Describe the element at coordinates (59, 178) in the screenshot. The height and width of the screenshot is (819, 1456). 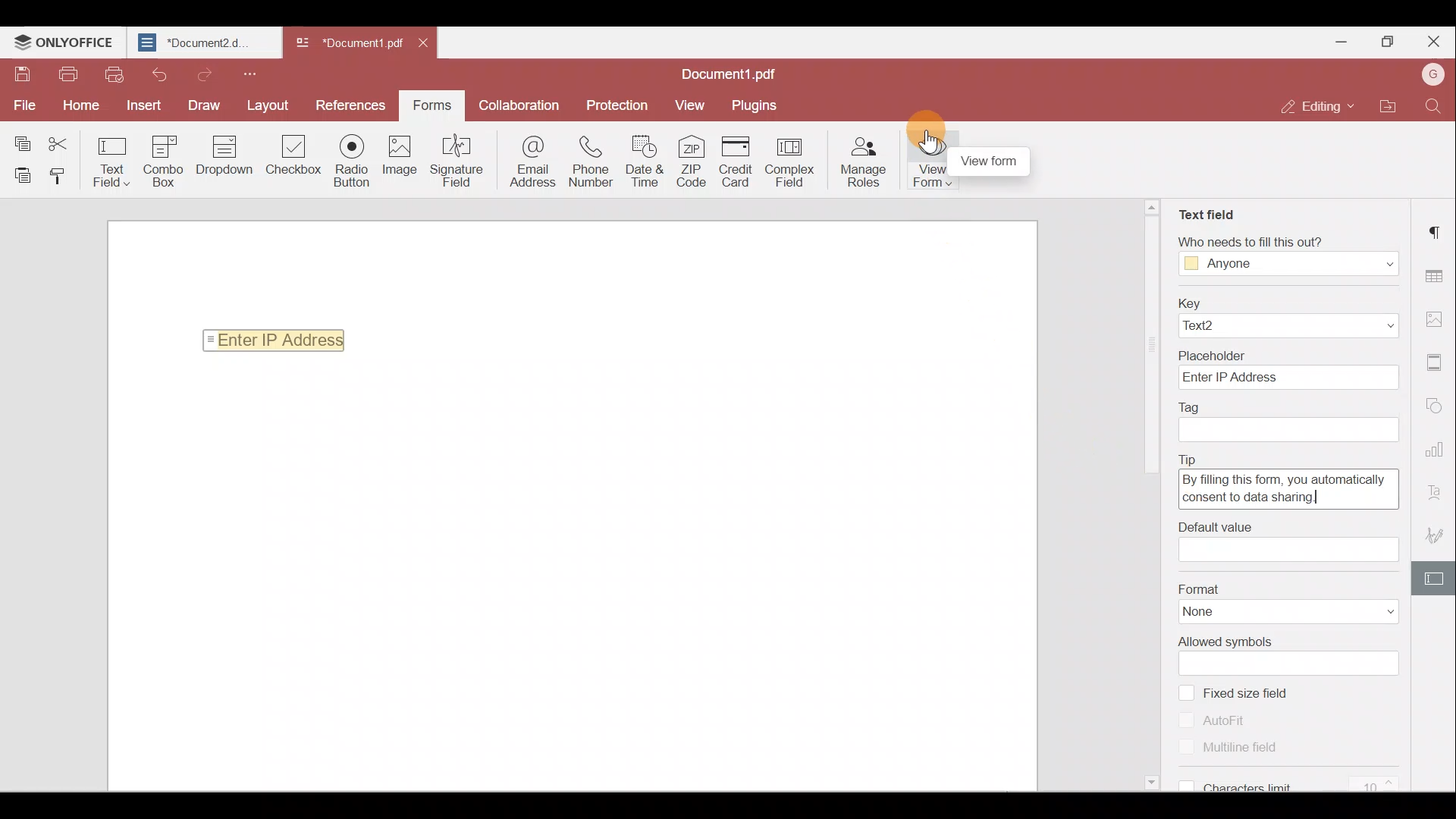
I see `Copy style` at that location.